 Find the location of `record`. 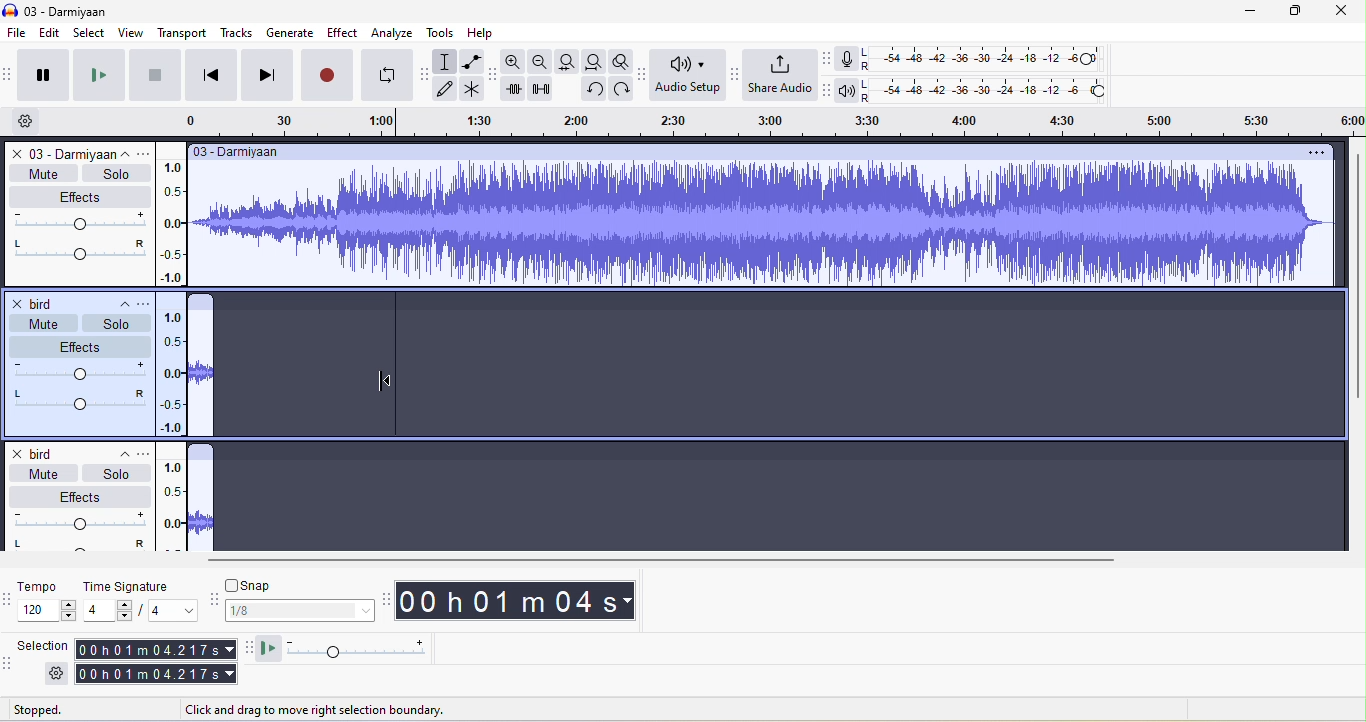

record is located at coordinates (329, 73).